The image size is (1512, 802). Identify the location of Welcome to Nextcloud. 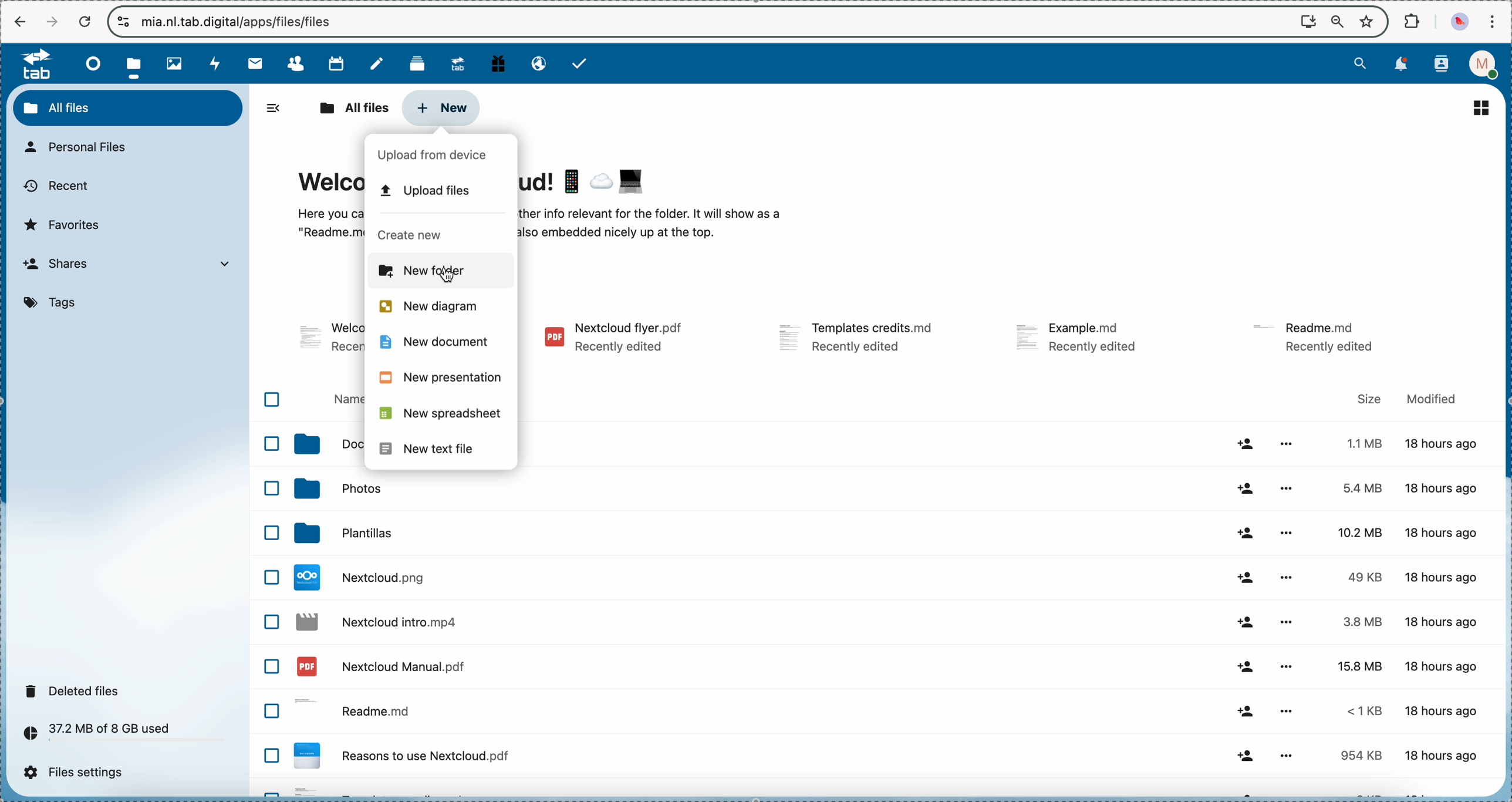
(326, 206).